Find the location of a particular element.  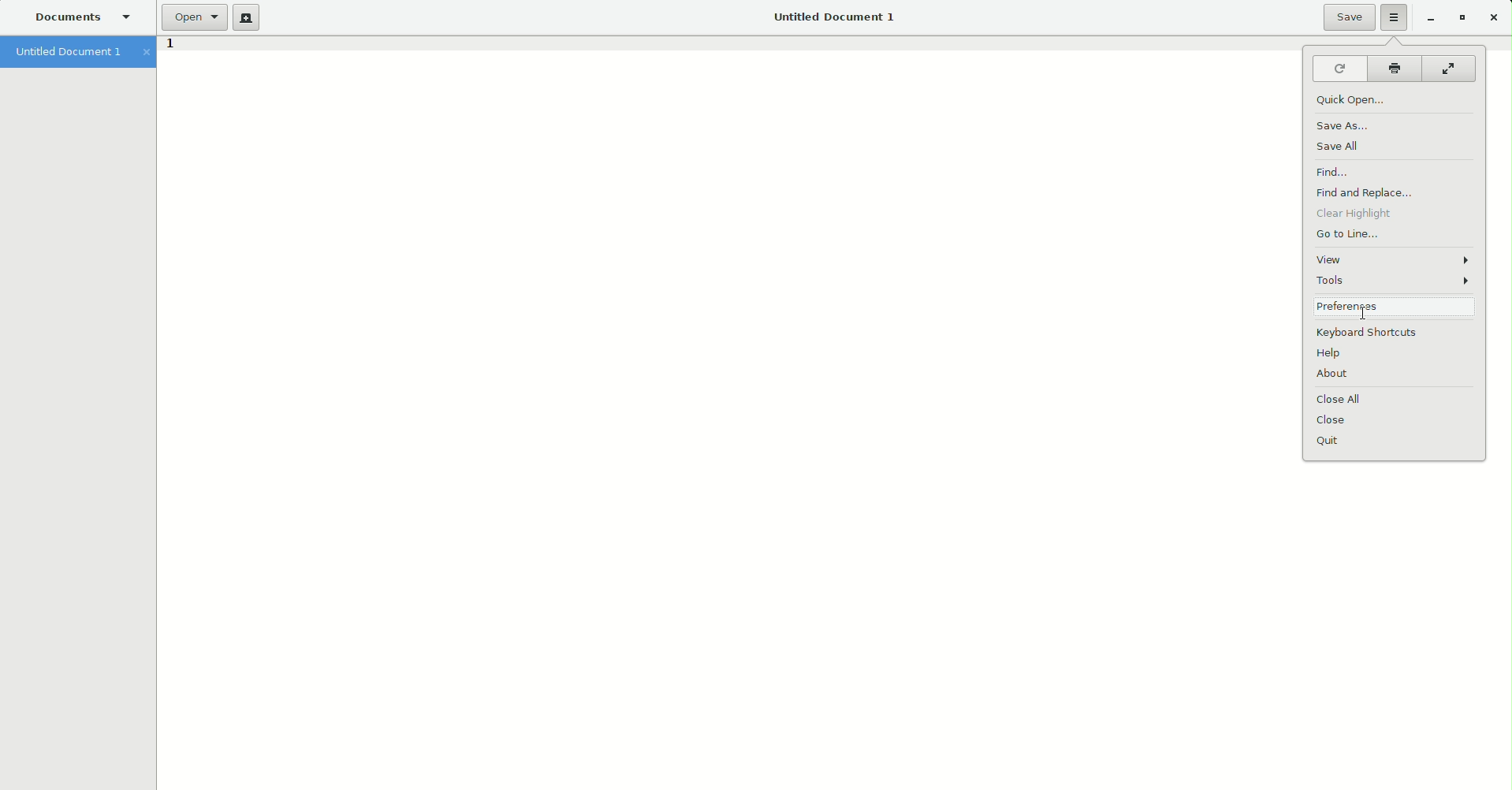

New is located at coordinates (246, 18).